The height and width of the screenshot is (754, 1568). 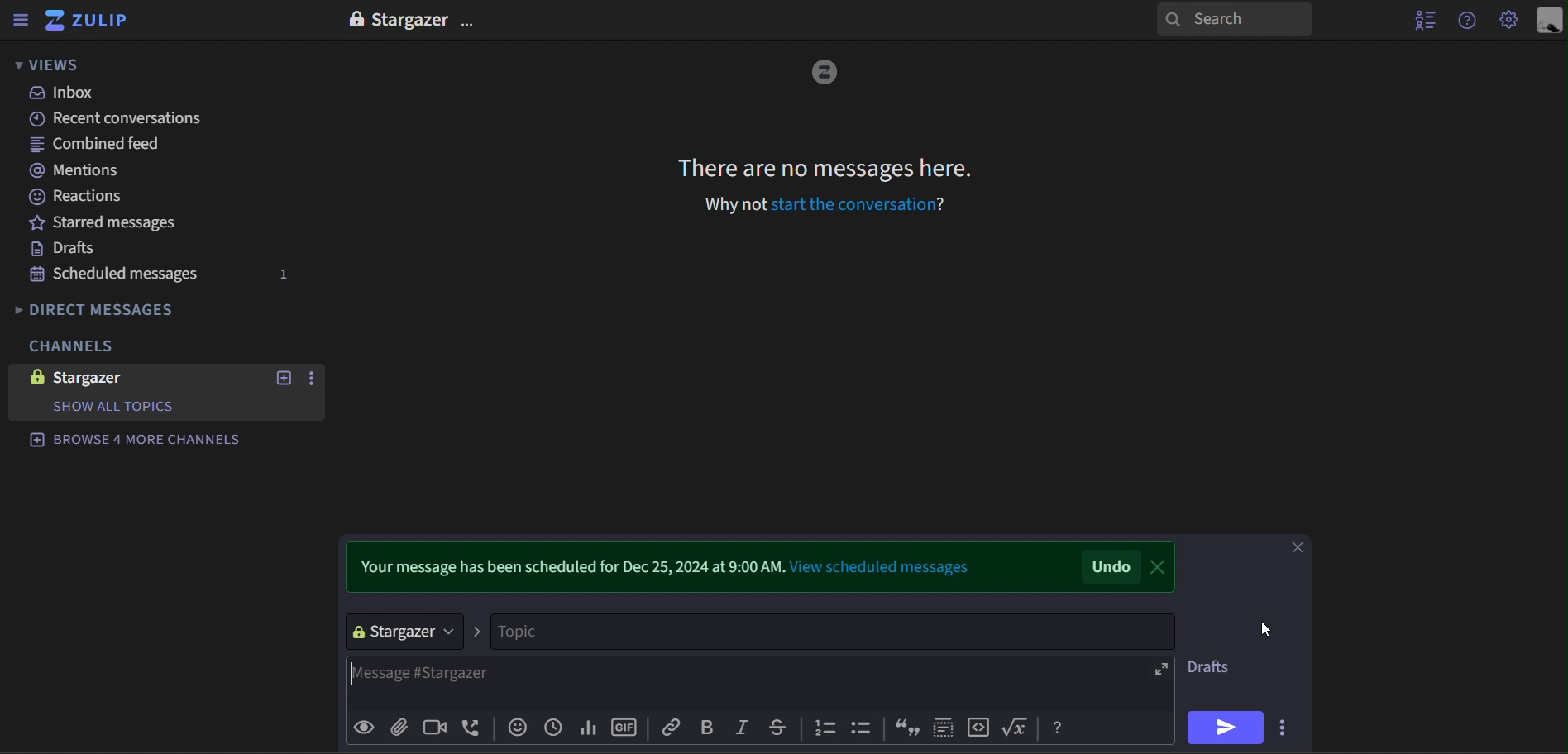 I want to click on add emoji, so click(x=518, y=728).